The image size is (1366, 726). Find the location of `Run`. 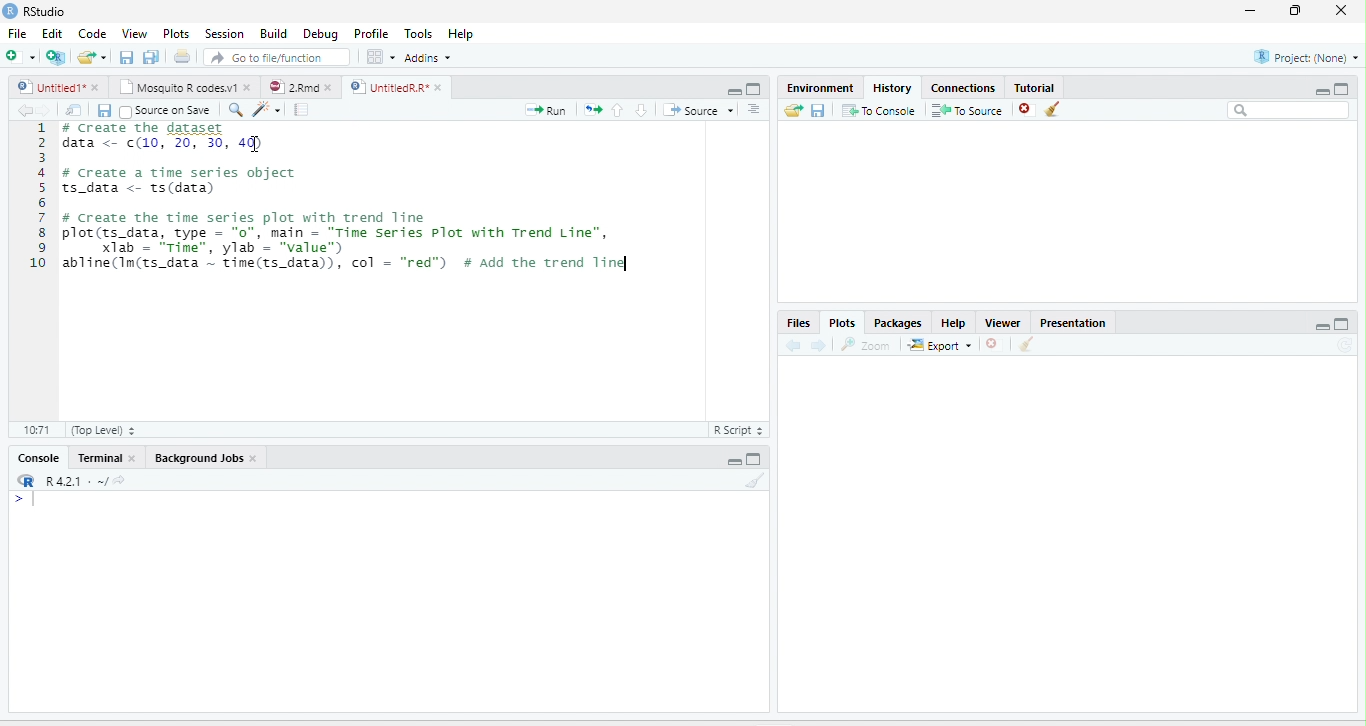

Run is located at coordinates (546, 110).